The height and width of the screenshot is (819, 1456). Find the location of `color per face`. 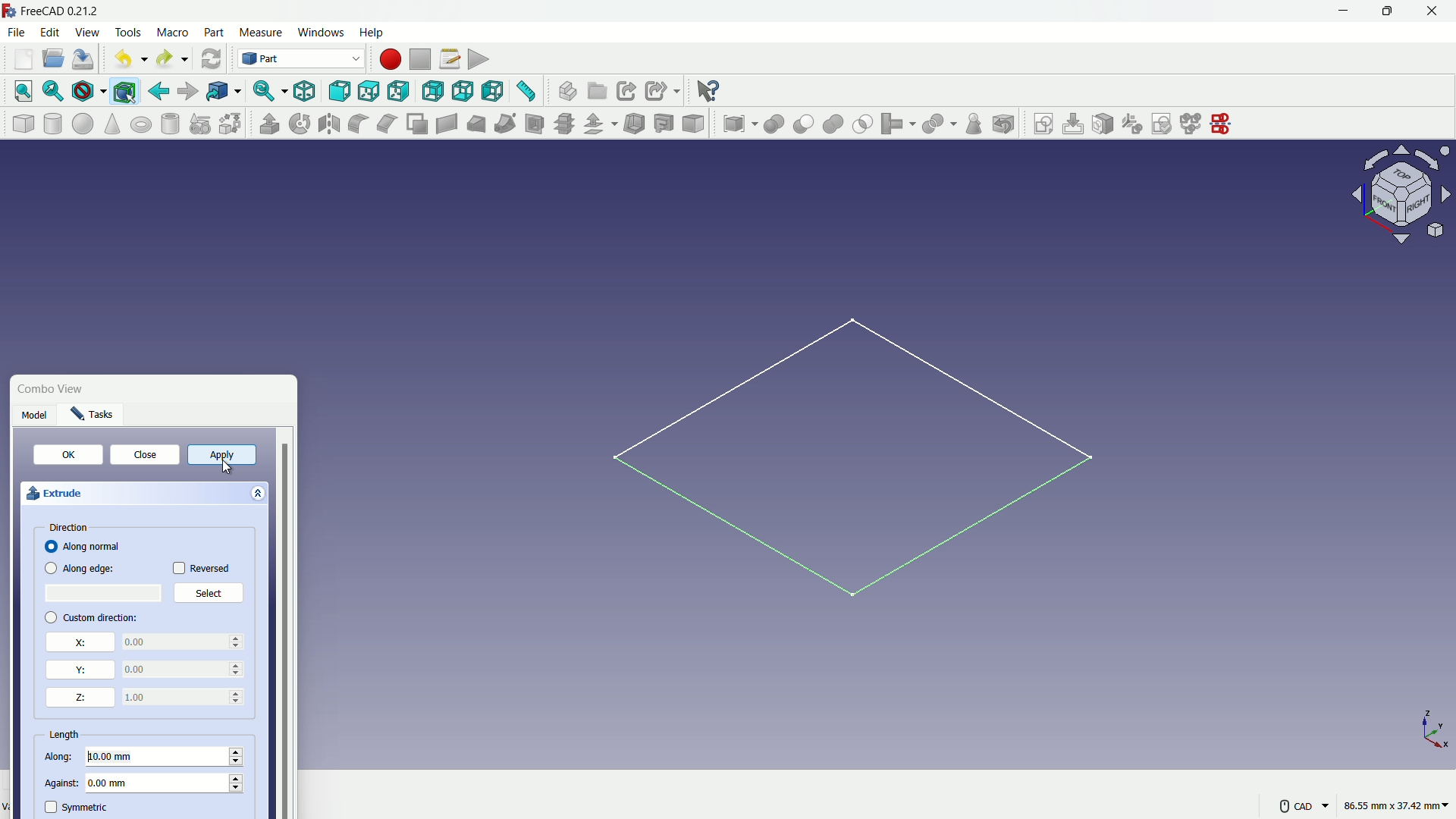

color per face is located at coordinates (695, 124).